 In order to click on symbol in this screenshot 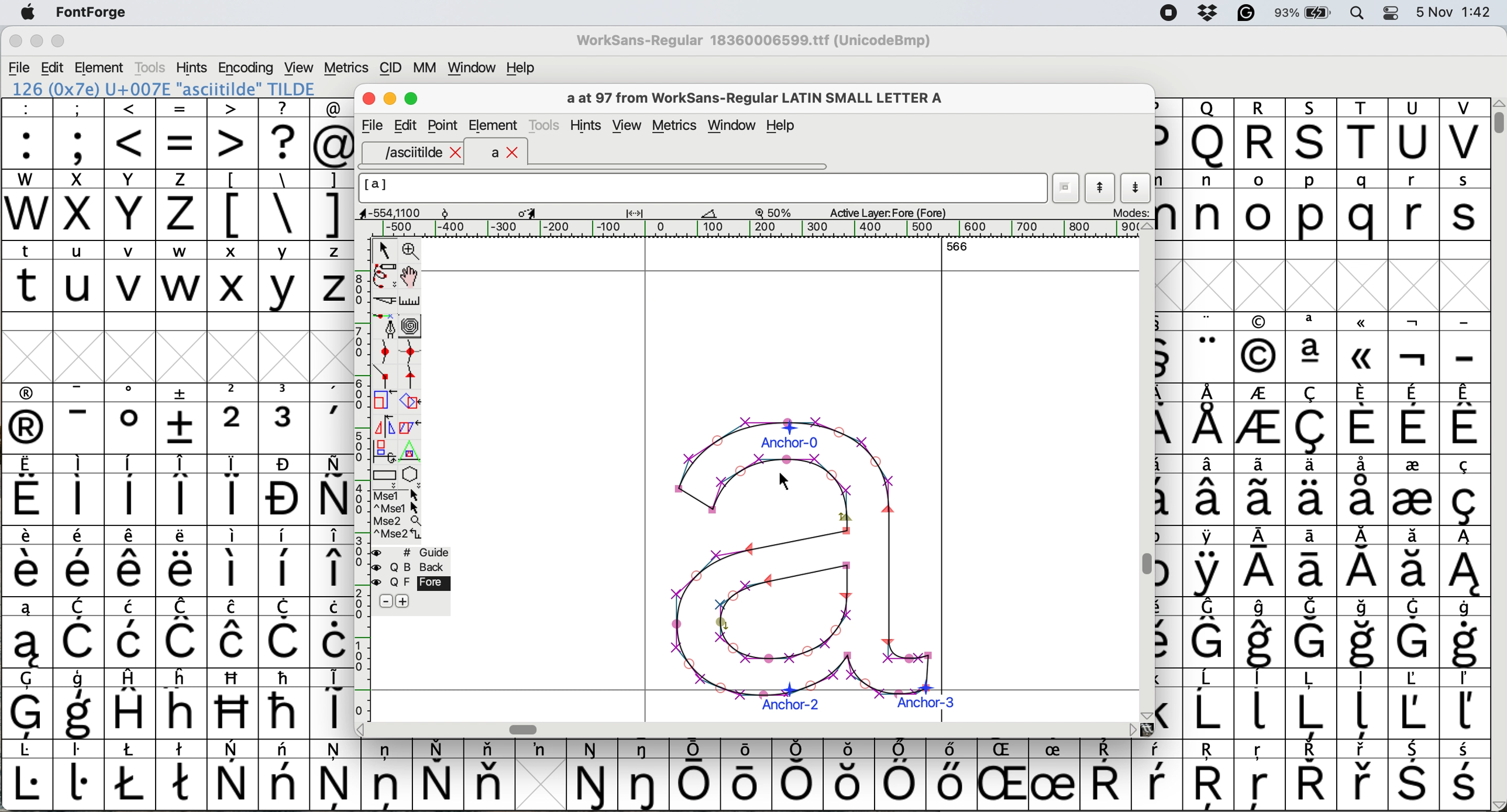, I will do `click(234, 490)`.